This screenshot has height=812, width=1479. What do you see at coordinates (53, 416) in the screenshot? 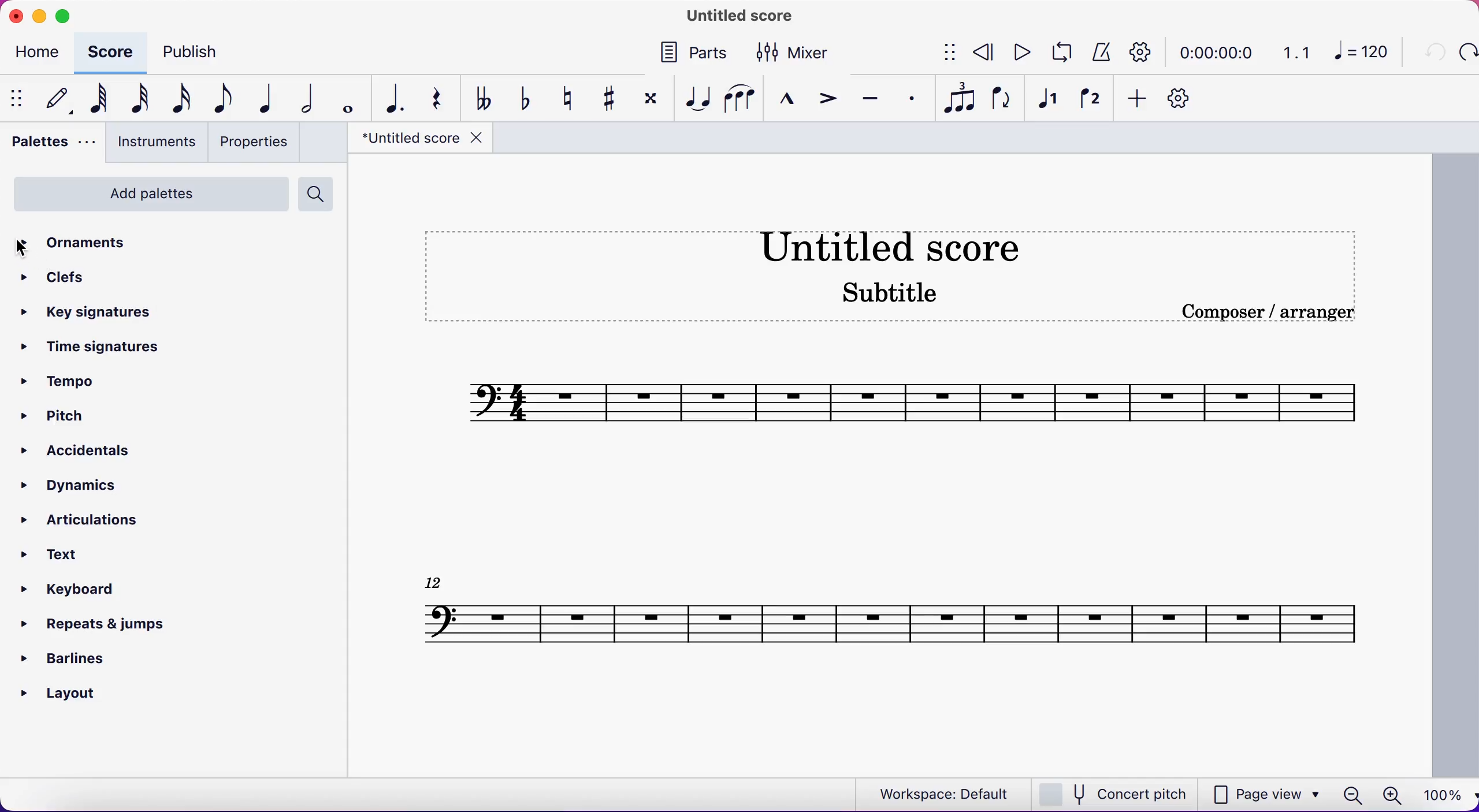
I see `pitch` at bounding box center [53, 416].